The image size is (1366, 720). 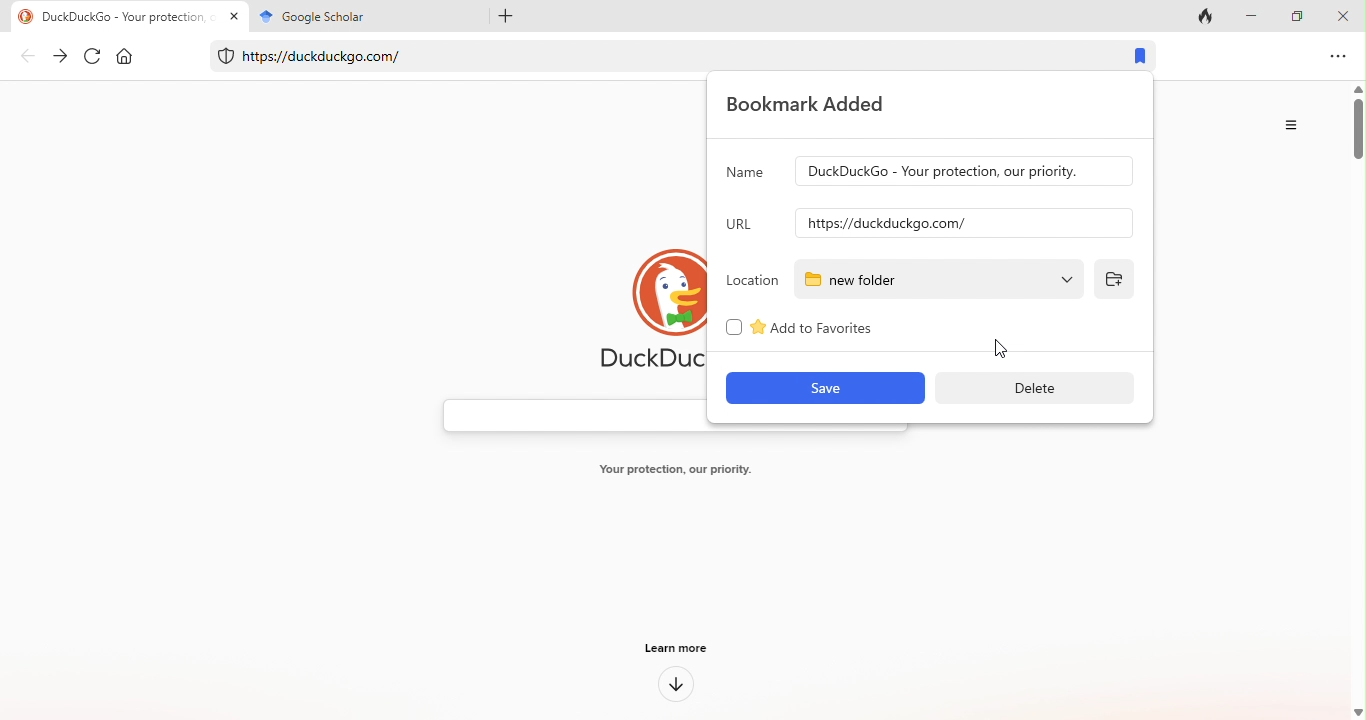 What do you see at coordinates (501, 15) in the screenshot?
I see `add tab` at bounding box center [501, 15].